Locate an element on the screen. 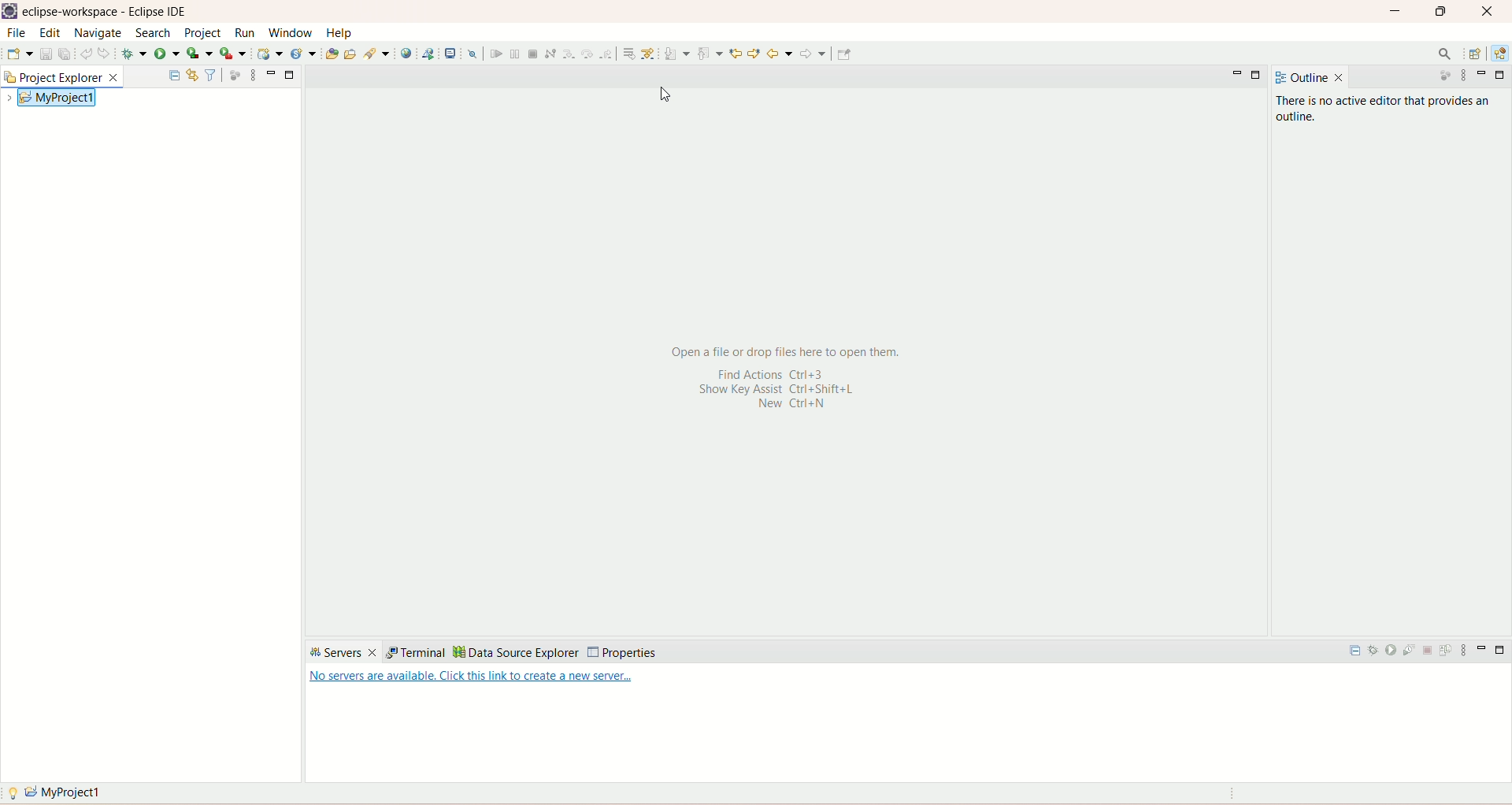  minimize is located at coordinates (270, 73).